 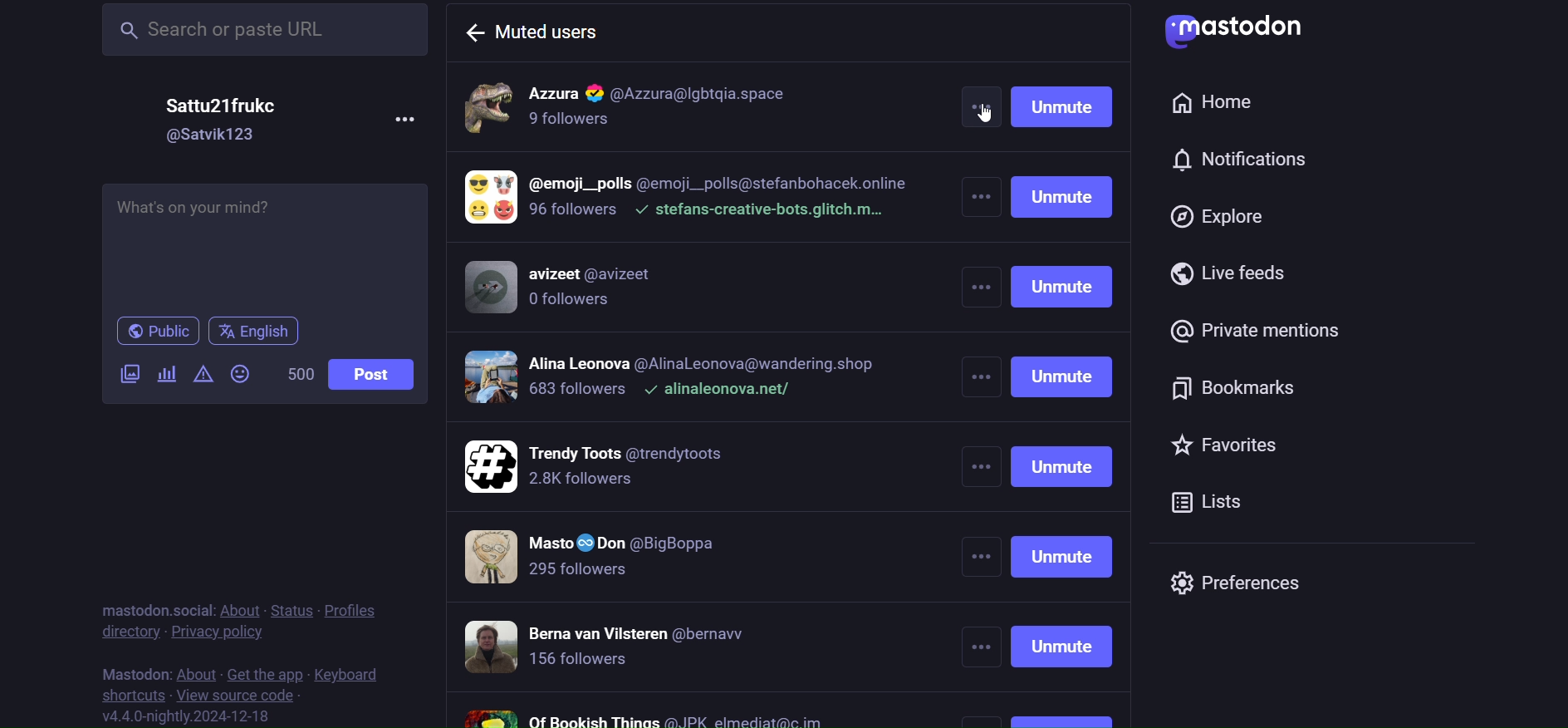 What do you see at coordinates (654, 715) in the screenshot?
I see `muted accounts 8` at bounding box center [654, 715].